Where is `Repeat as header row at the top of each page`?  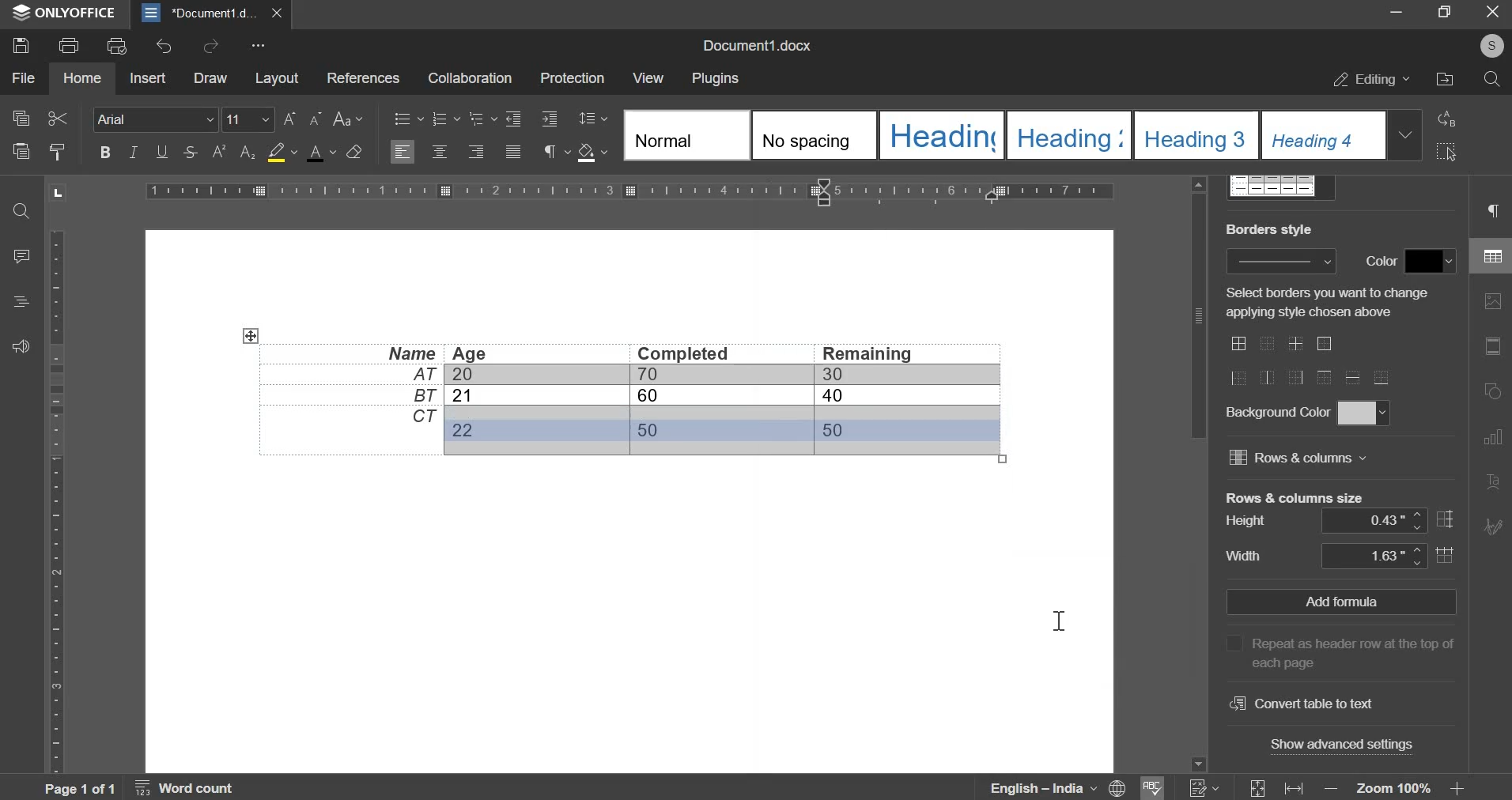
Repeat as header row at the top of each page is located at coordinates (1354, 655).